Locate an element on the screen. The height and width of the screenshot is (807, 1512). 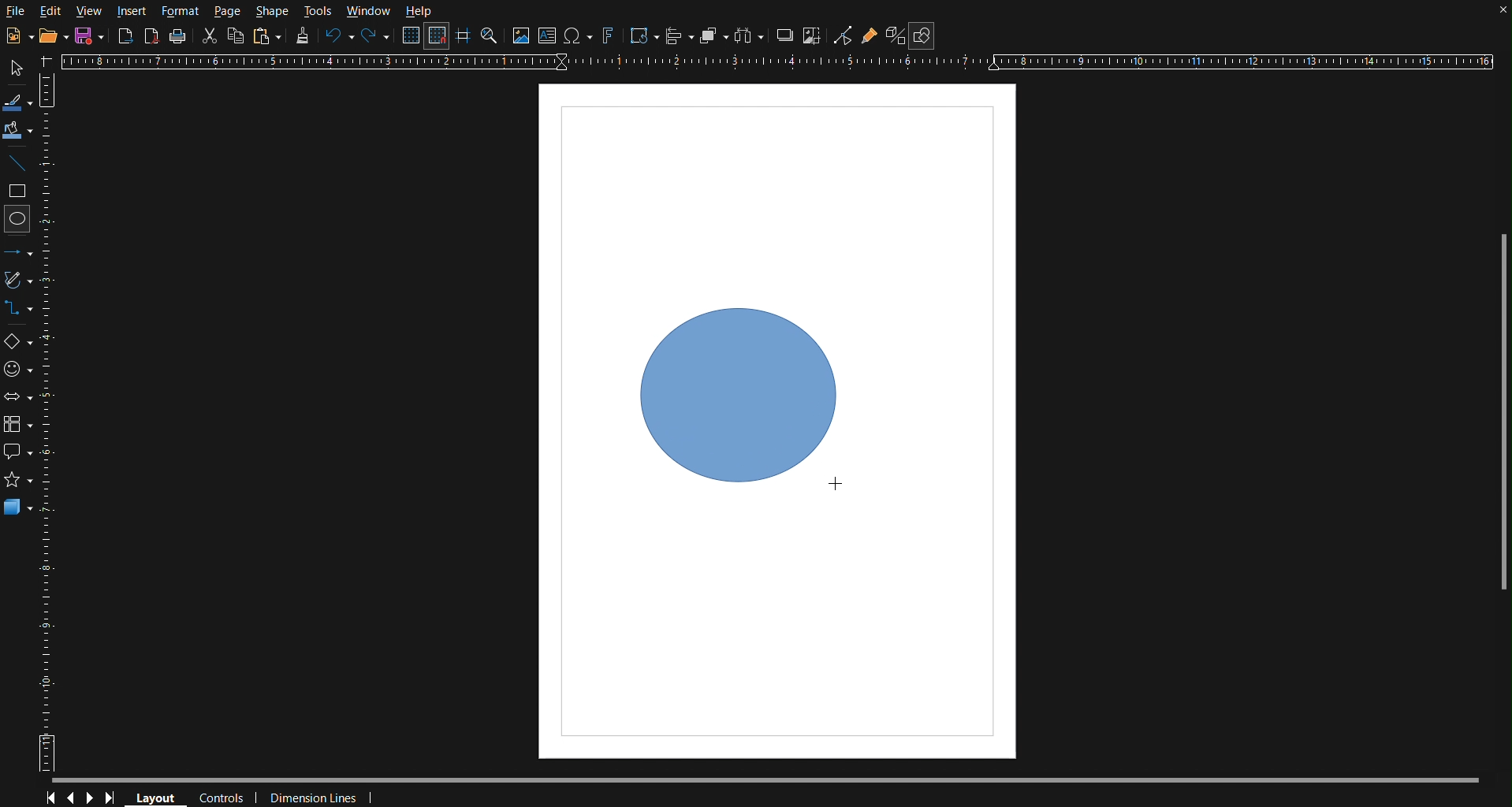
Window is located at coordinates (368, 10).